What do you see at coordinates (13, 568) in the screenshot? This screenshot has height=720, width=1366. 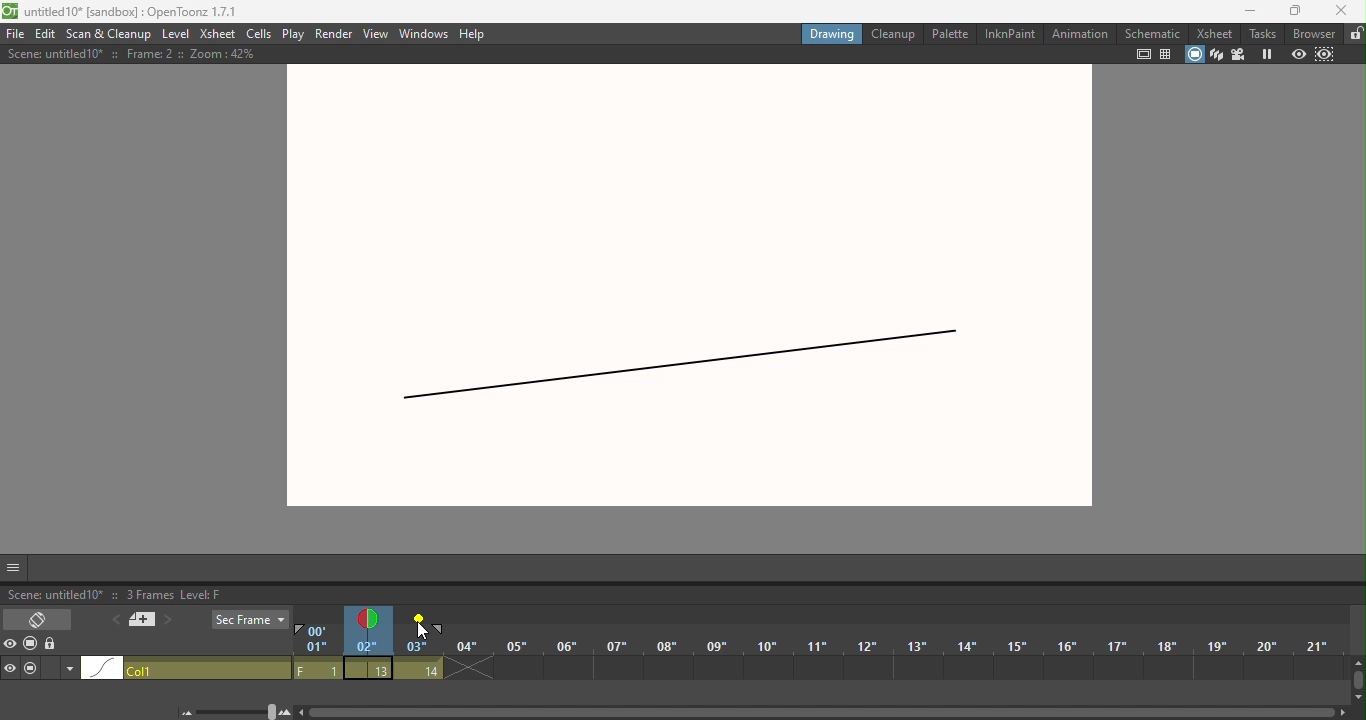 I see `GUI show/hide` at bounding box center [13, 568].